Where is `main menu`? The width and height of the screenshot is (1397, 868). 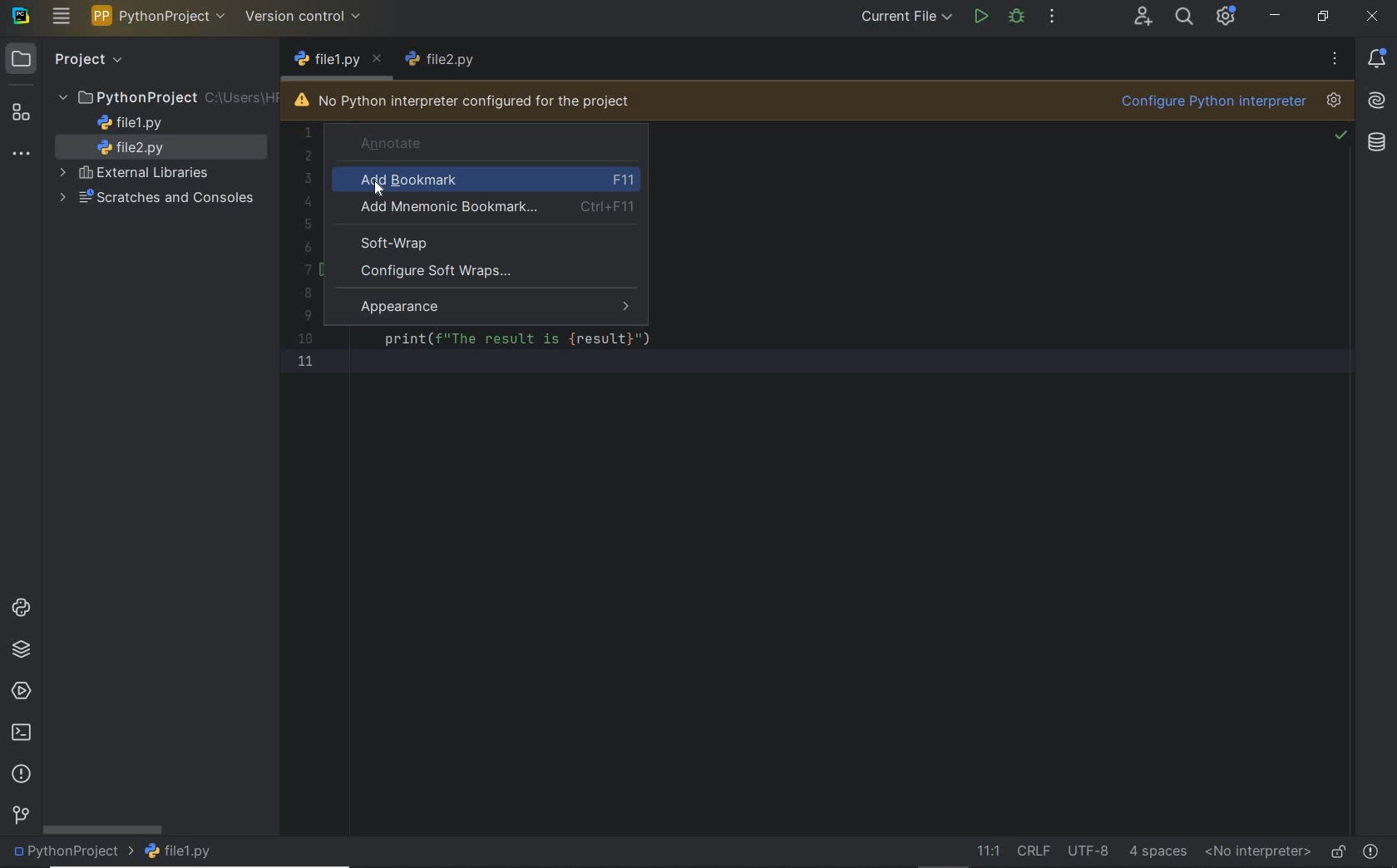
main menu is located at coordinates (62, 18).